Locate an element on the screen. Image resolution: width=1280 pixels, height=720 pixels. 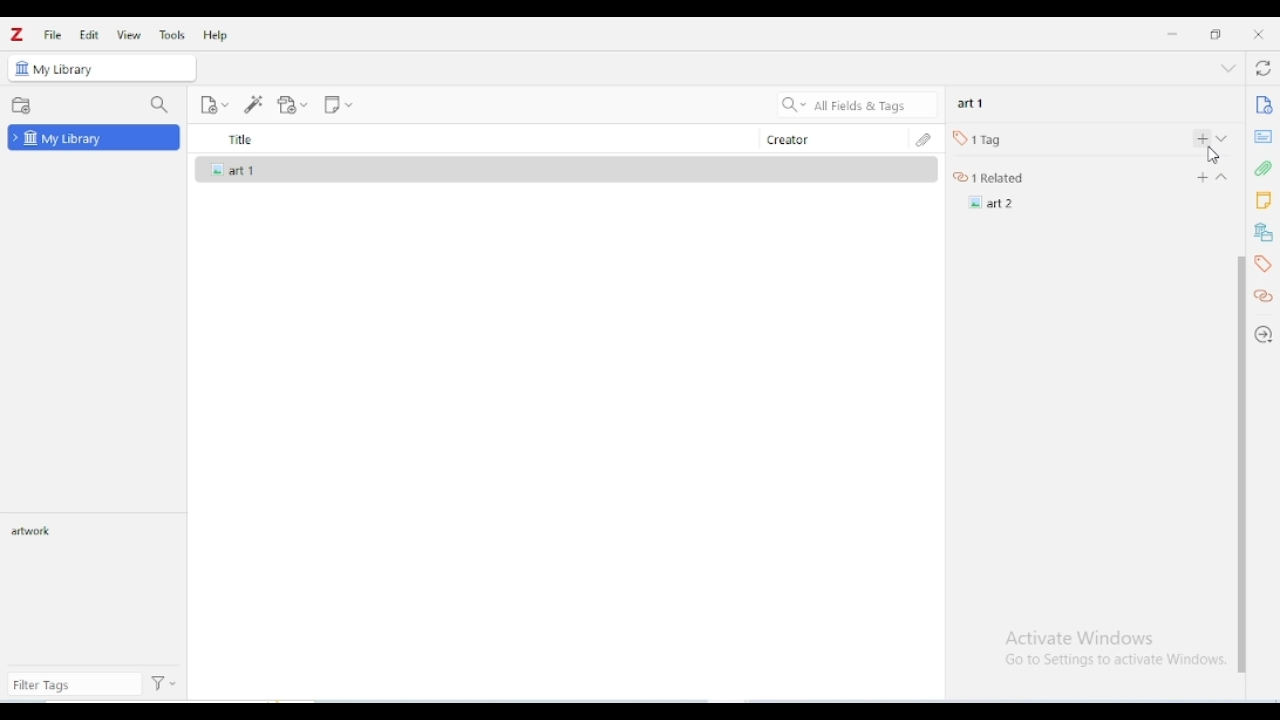
maximize is located at coordinates (1218, 34).